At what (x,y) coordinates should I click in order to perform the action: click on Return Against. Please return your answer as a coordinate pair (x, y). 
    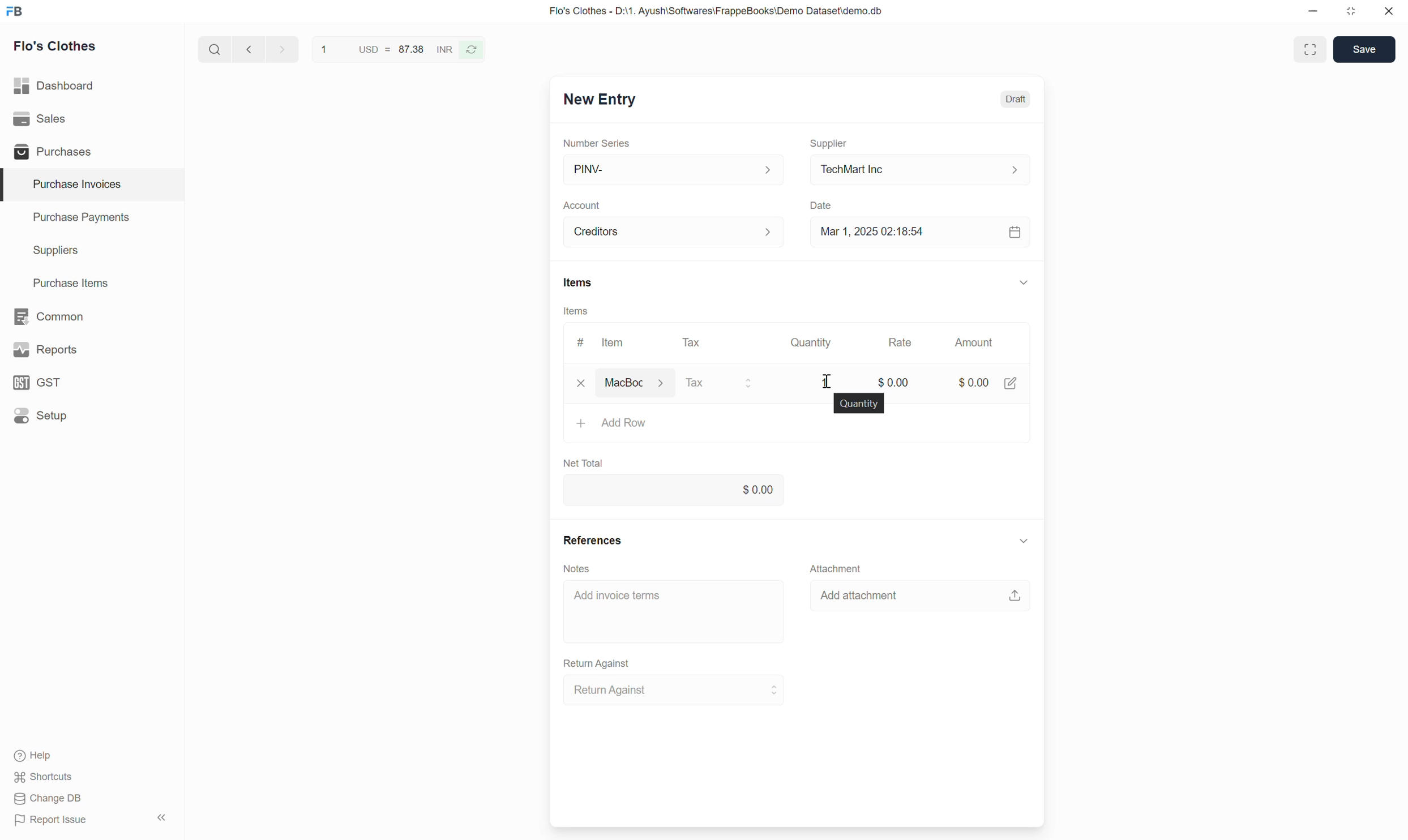
    Looking at the image, I should click on (675, 690).